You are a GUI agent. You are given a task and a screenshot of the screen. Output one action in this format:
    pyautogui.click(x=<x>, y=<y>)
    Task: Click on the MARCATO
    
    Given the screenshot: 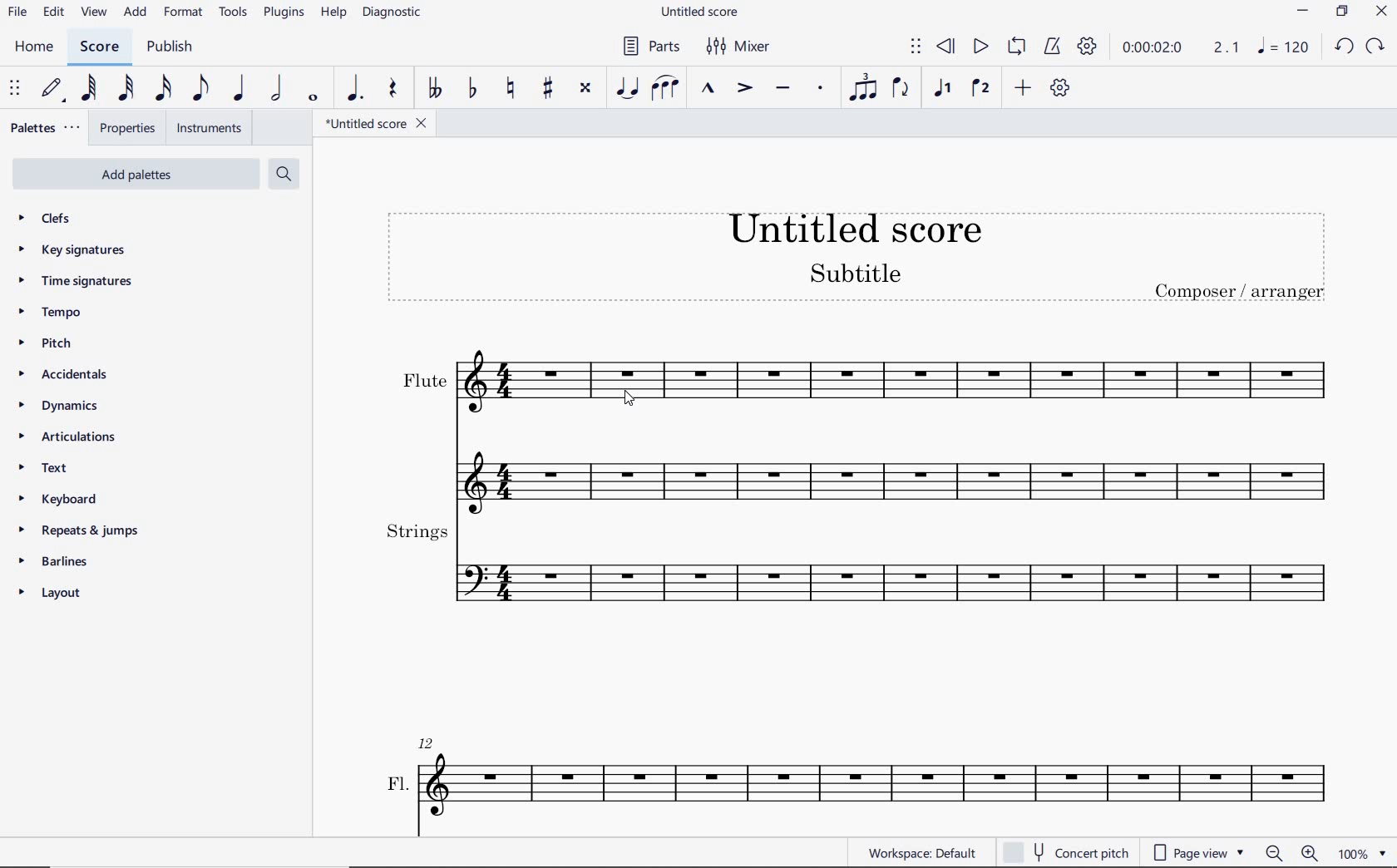 What is the action you would take?
    pyautogui.click(x=708, y=90)
    